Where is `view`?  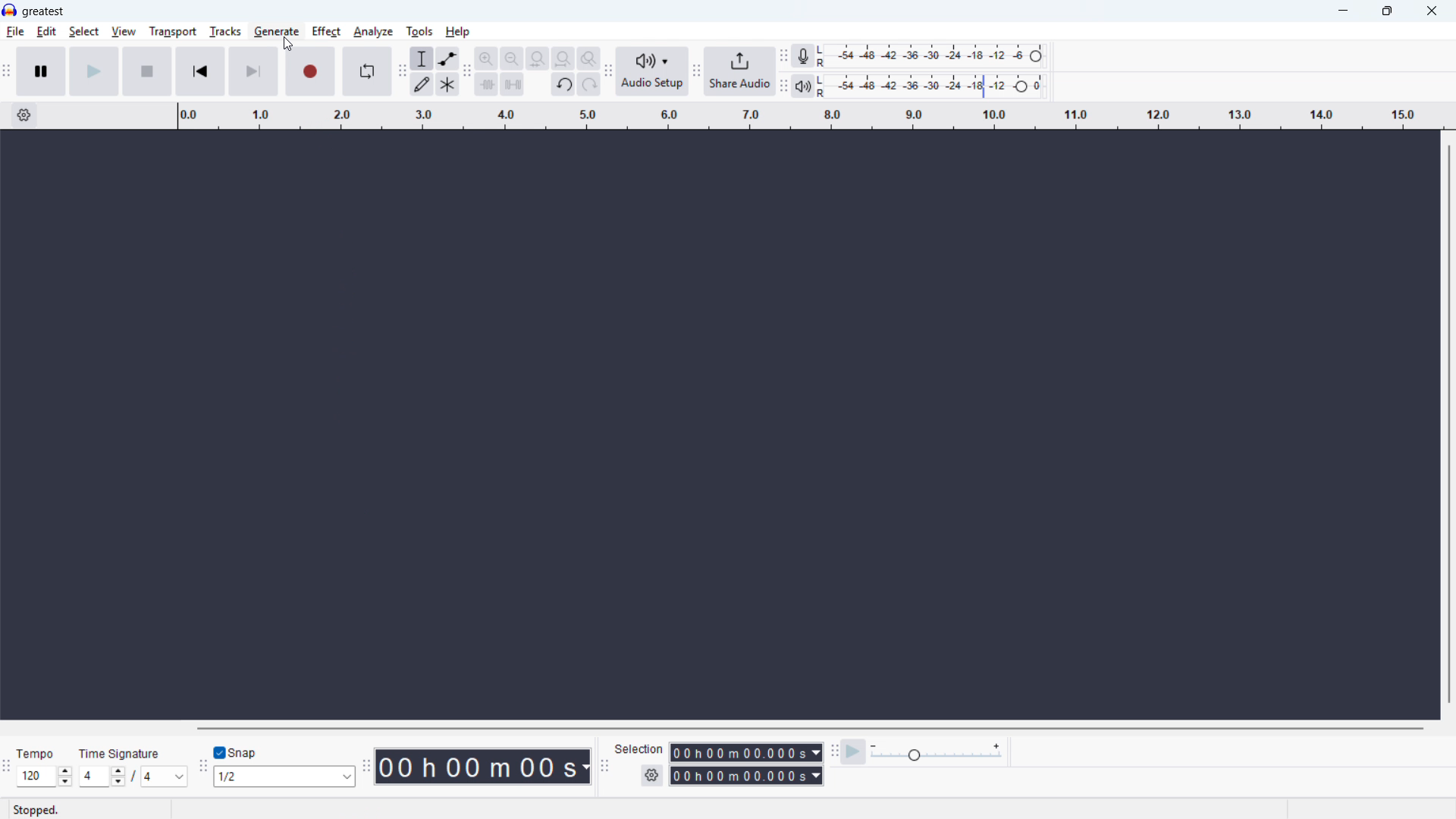
view is located at coordinates (123, 31).